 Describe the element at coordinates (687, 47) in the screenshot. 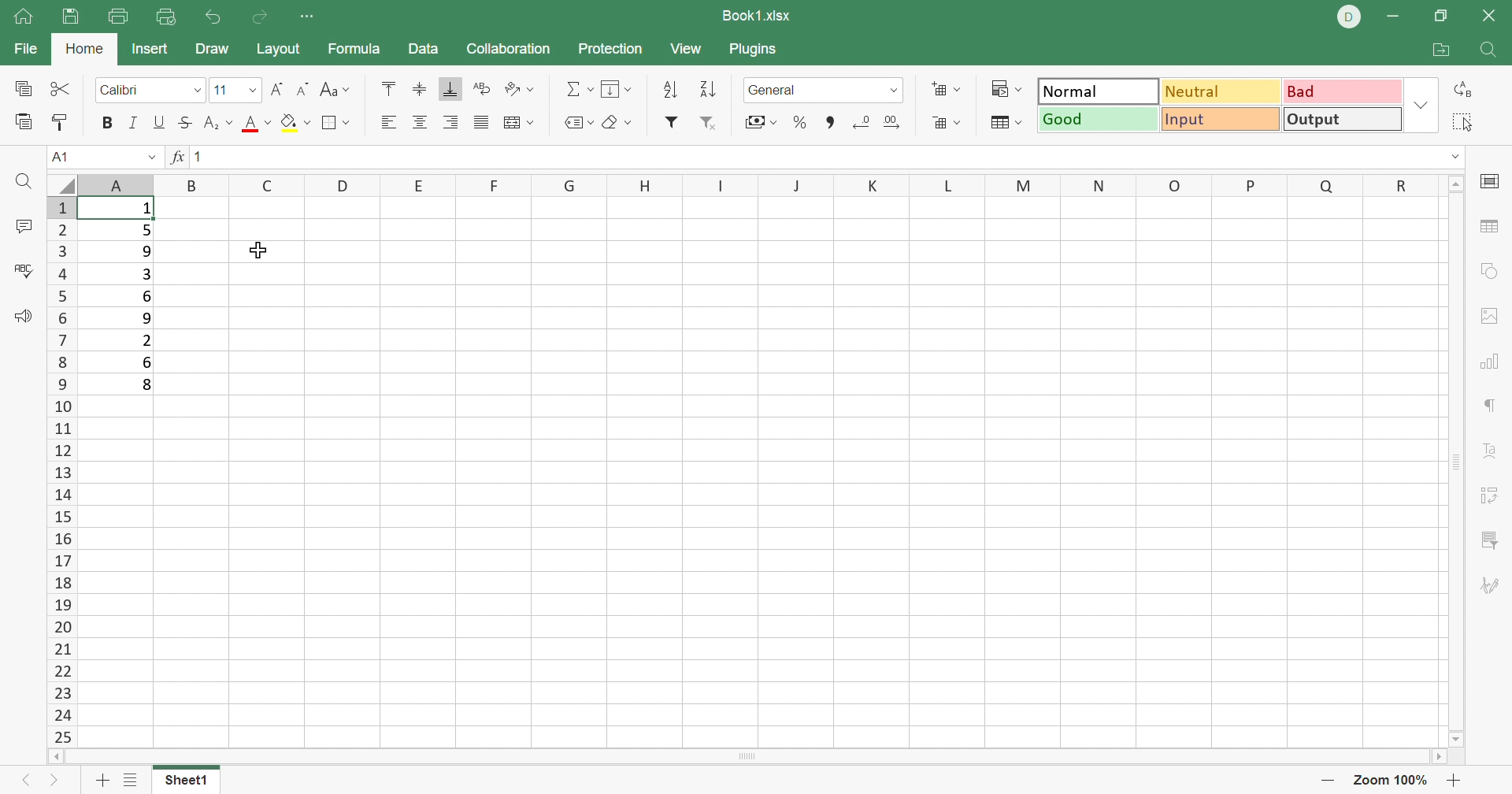

I see `View` at that location.